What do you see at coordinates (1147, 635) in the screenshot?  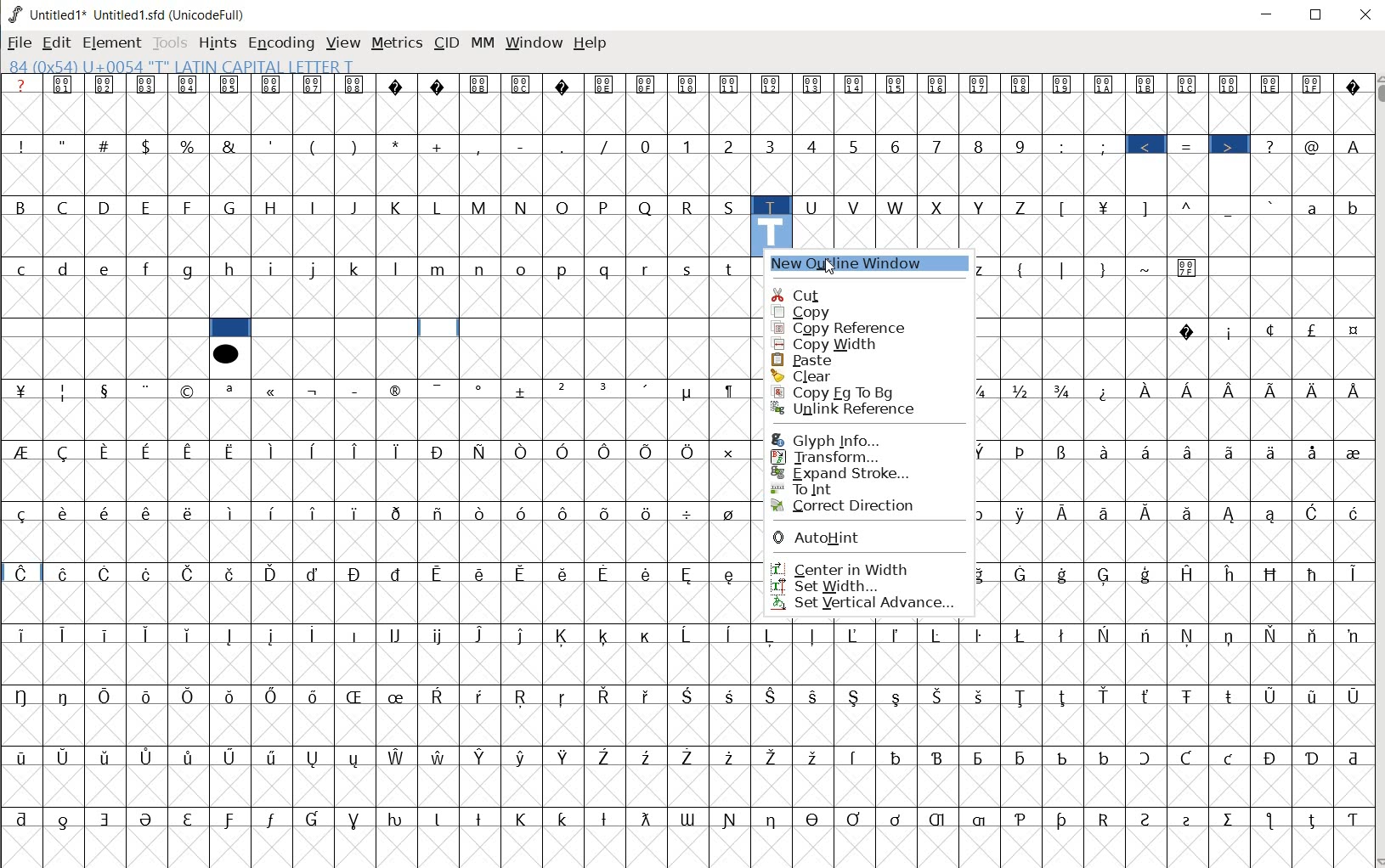 I see `Symbol` at bounding box center [1147, 635].